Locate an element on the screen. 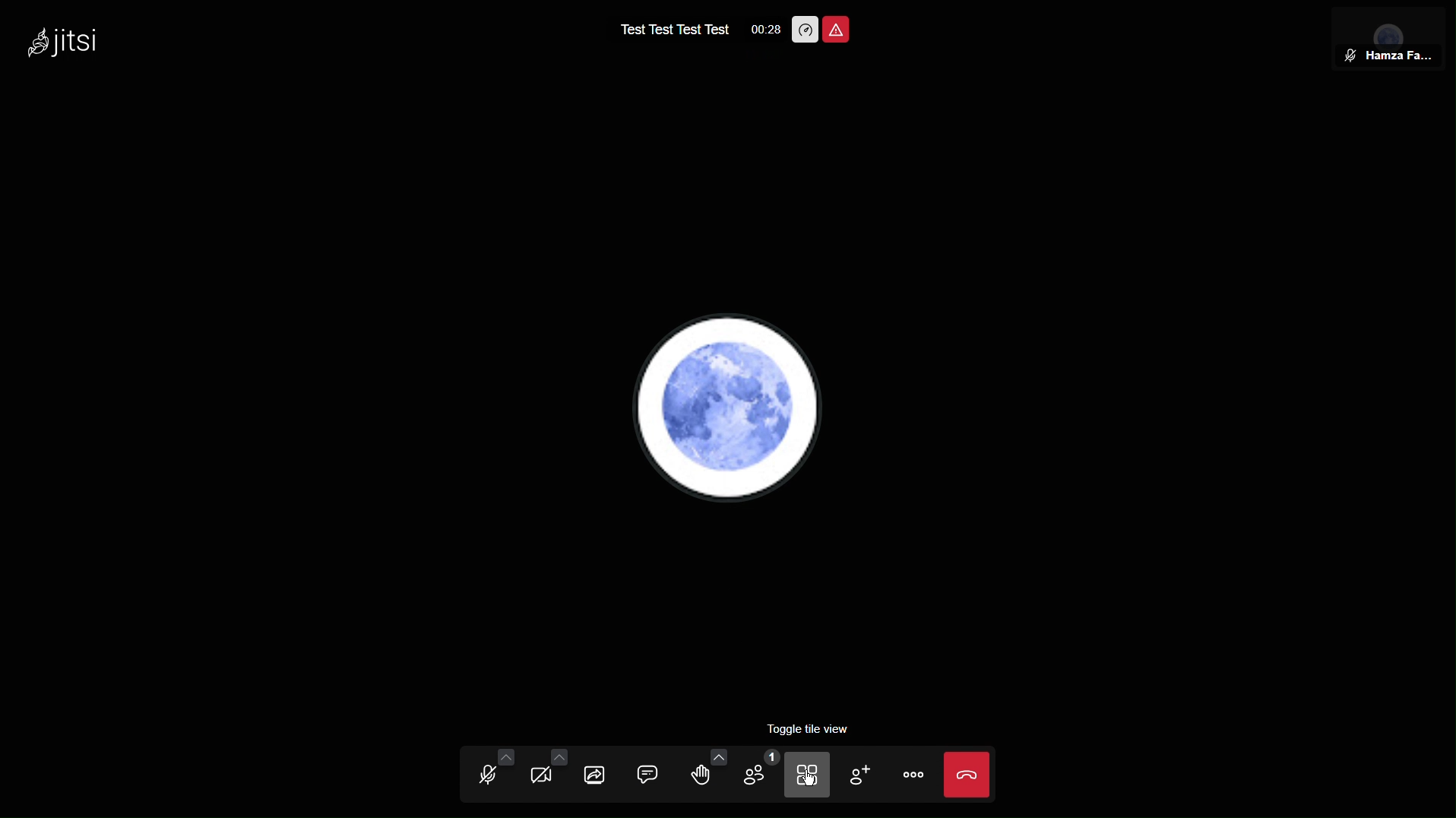  Toggle tile view is located at coordinates (815, 731).